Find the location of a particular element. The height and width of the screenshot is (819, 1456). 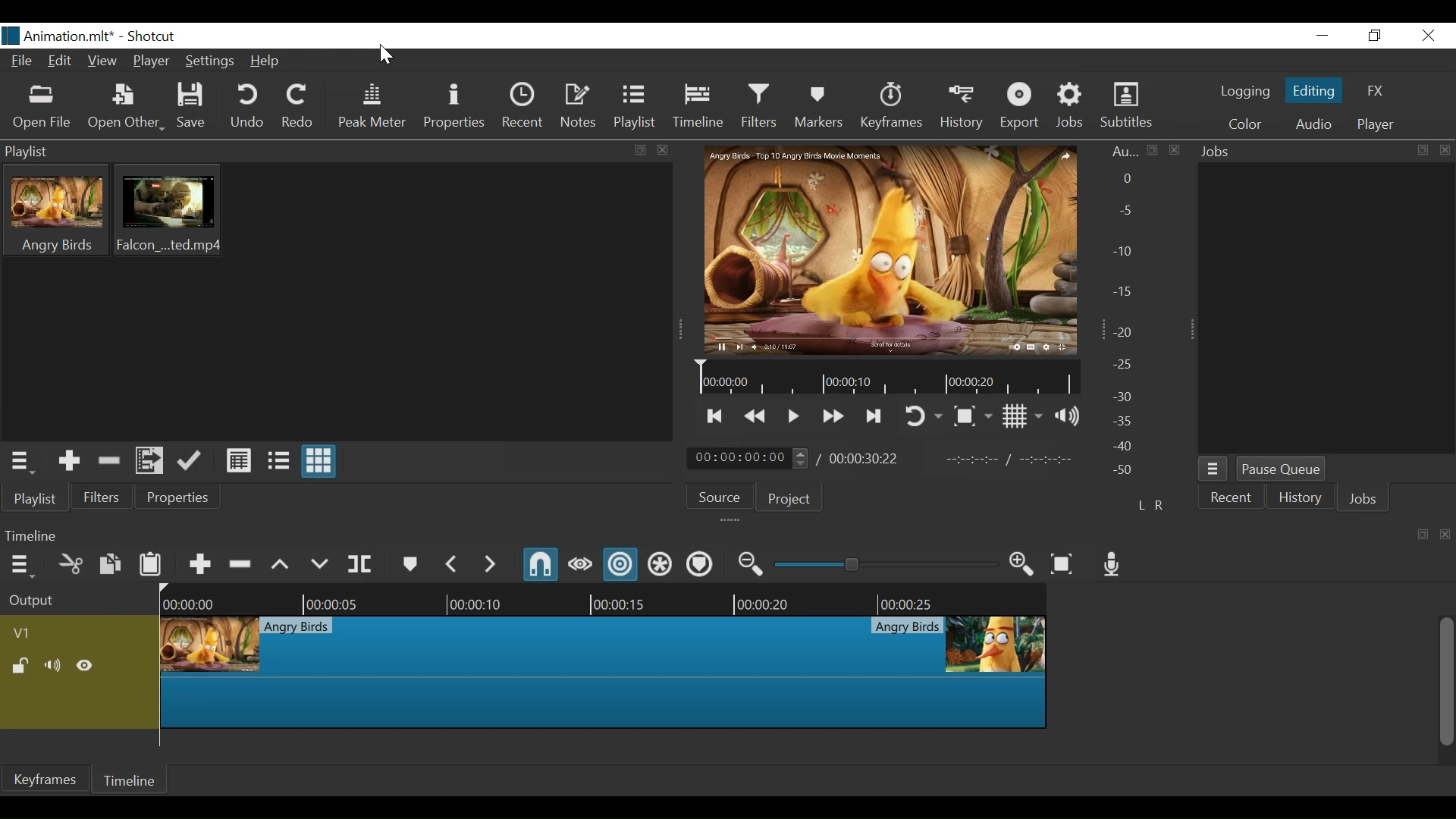

Editing is located at coordinates (1313, 91).